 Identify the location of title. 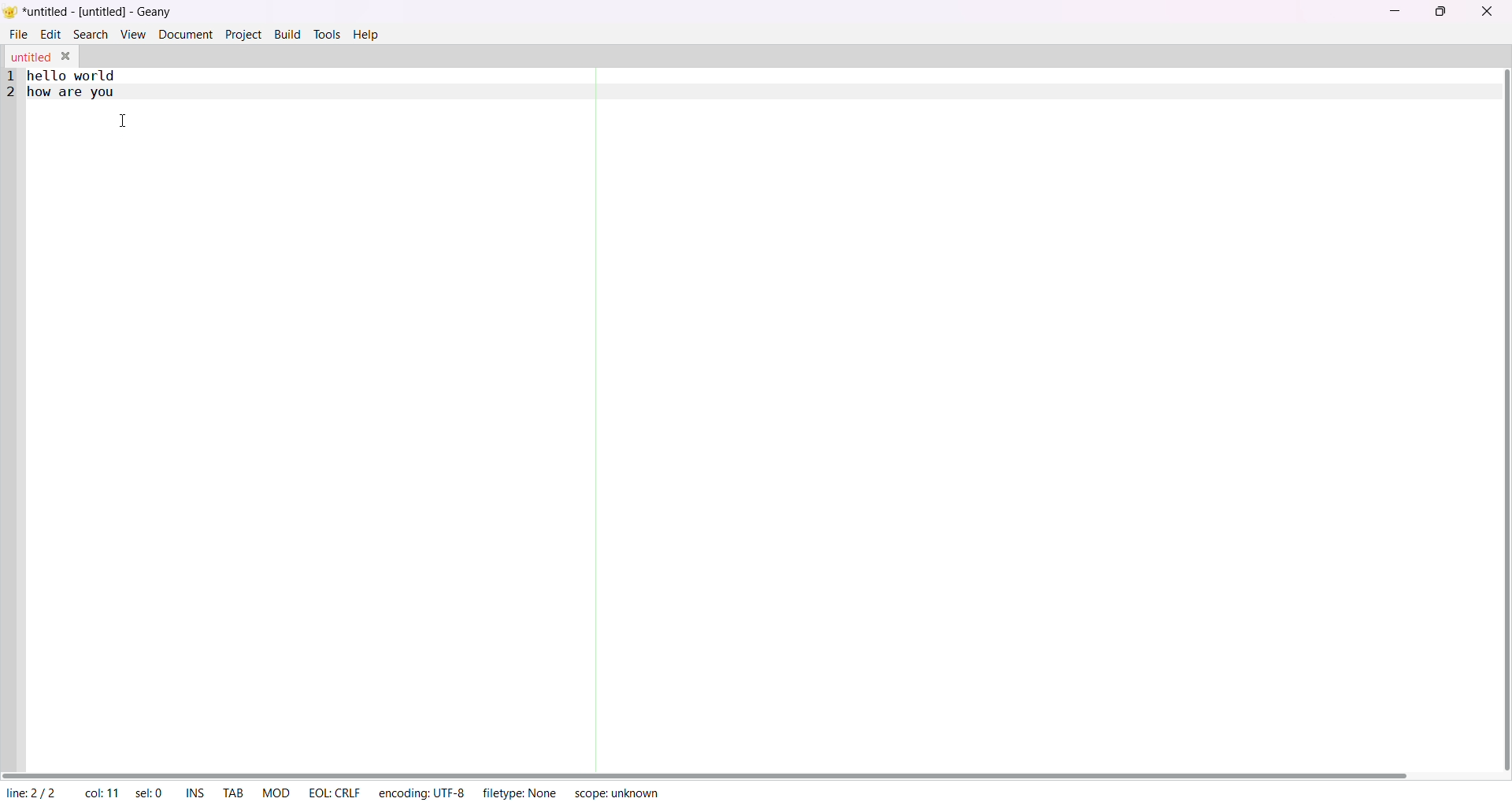
(99, 12).